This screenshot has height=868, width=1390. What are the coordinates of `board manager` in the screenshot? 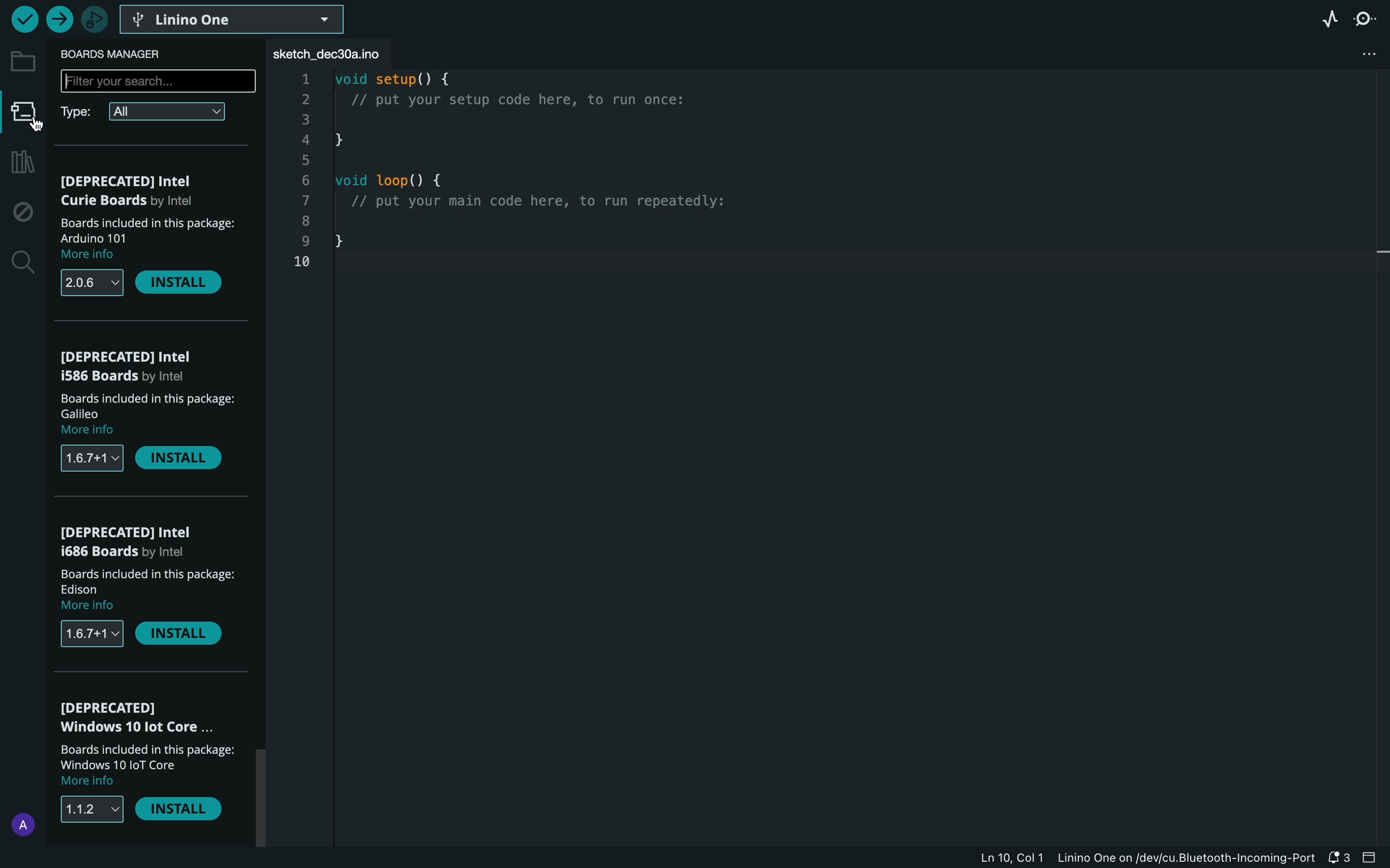 It's located at (24, 113).